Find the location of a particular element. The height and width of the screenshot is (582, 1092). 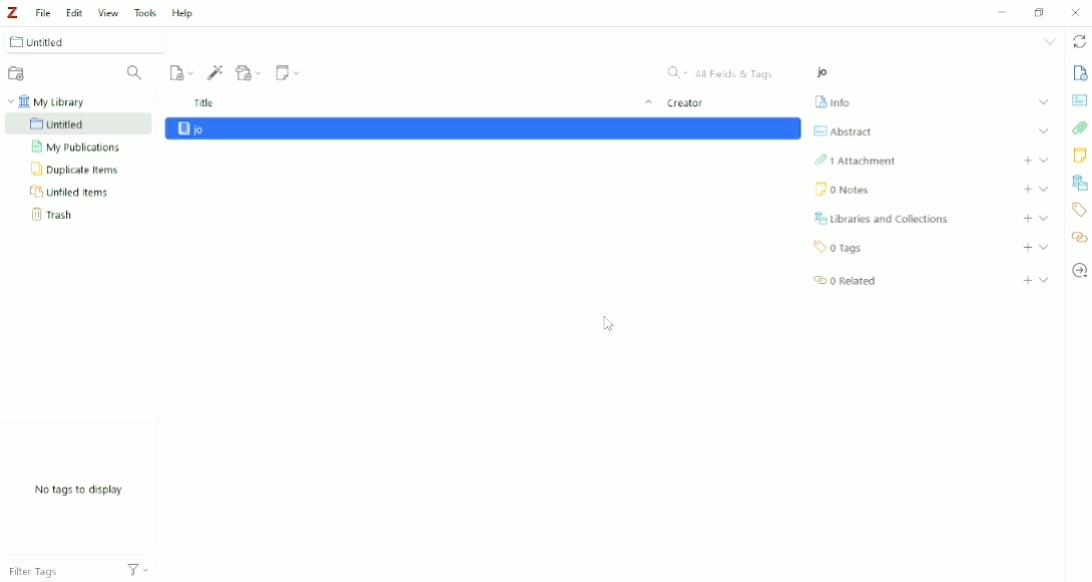

Notes is located at coordinates (842, 189).